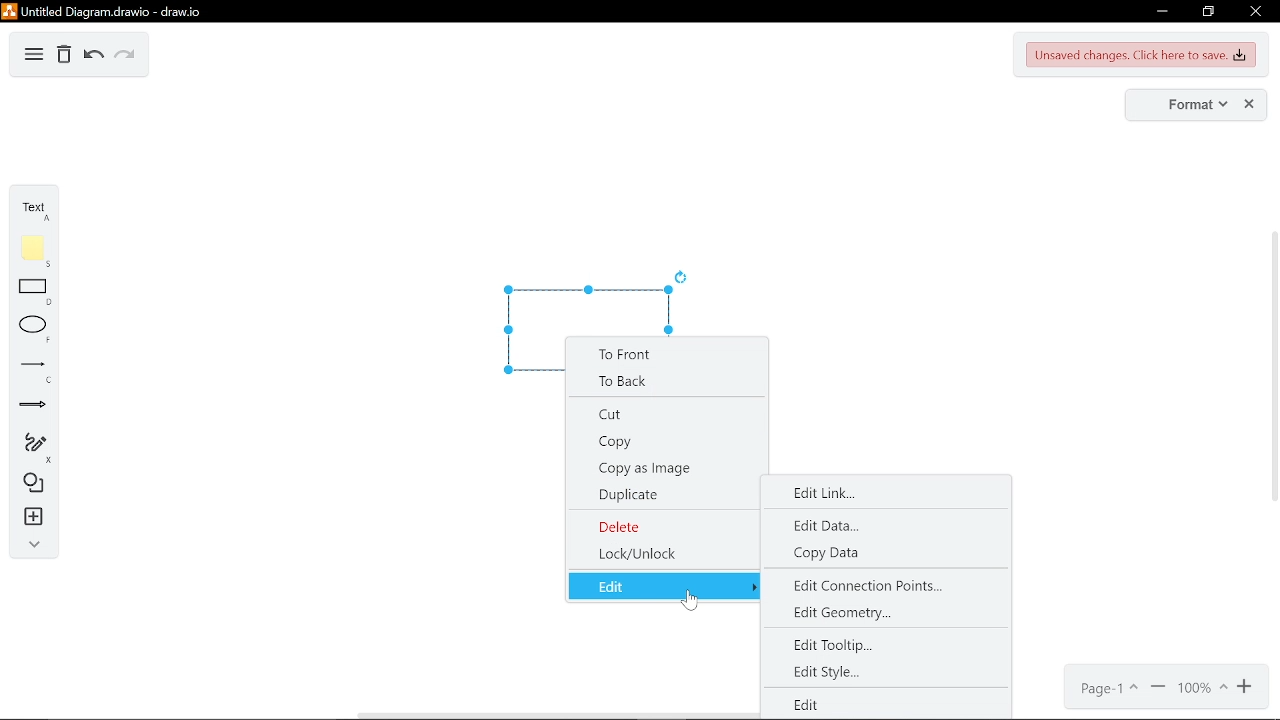 The height and width of the screenshot is (720, 1280). I want to click on page, so click(1111, 688).